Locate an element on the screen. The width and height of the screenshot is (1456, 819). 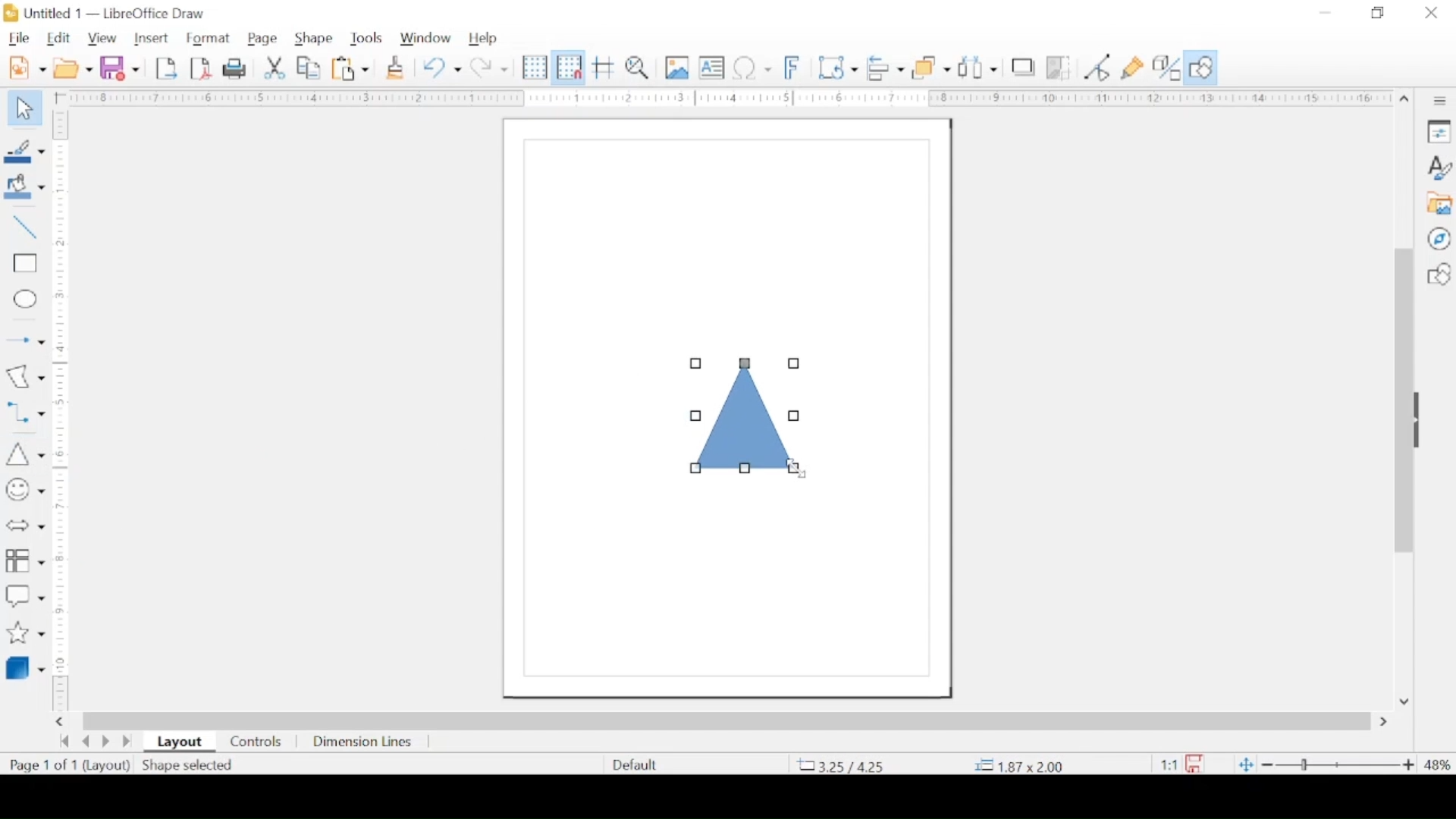
navigator is located at coordinates (1439, 239).